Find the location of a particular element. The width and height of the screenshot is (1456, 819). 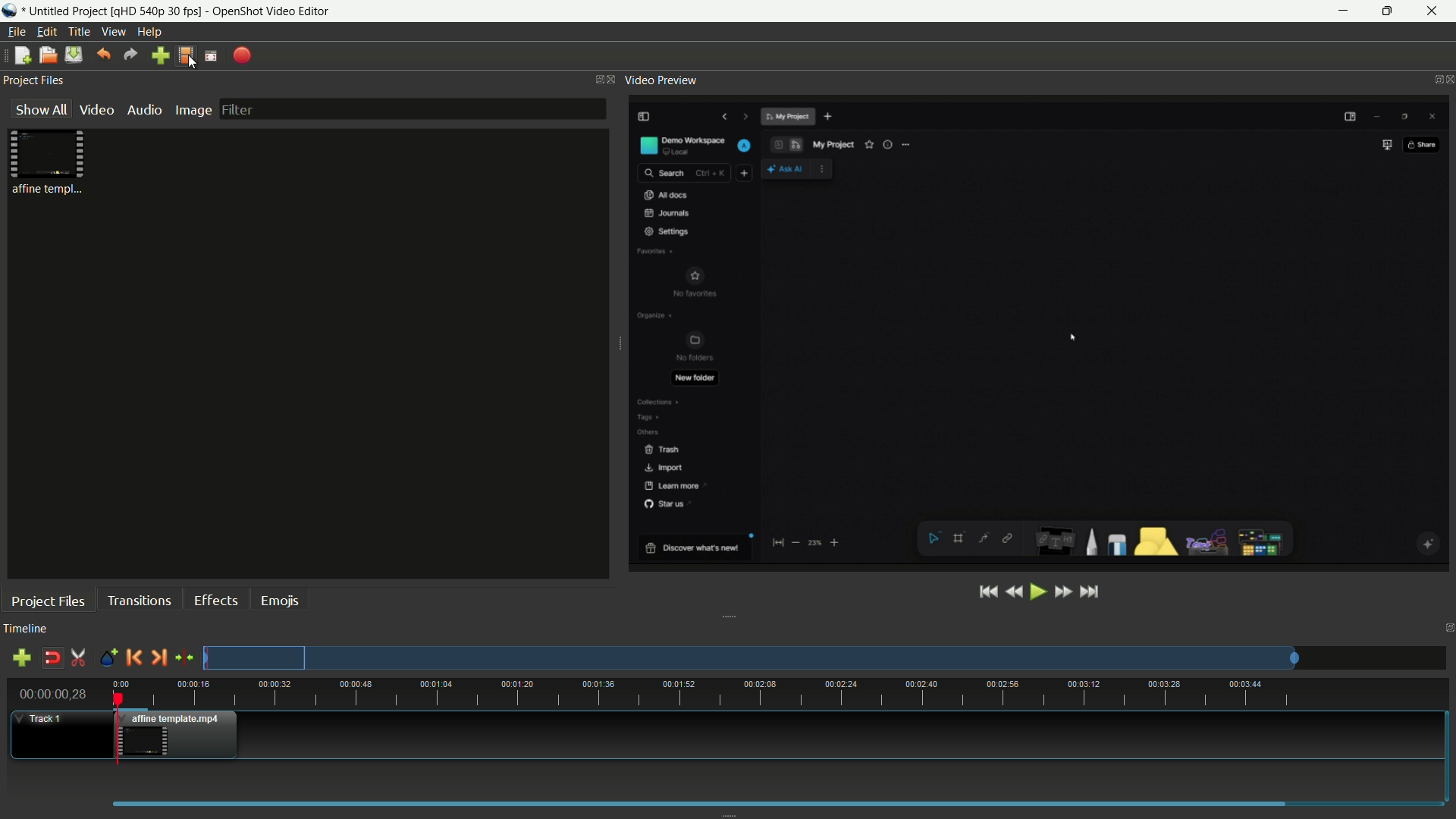

file menu is located at coordinates (16, 32).